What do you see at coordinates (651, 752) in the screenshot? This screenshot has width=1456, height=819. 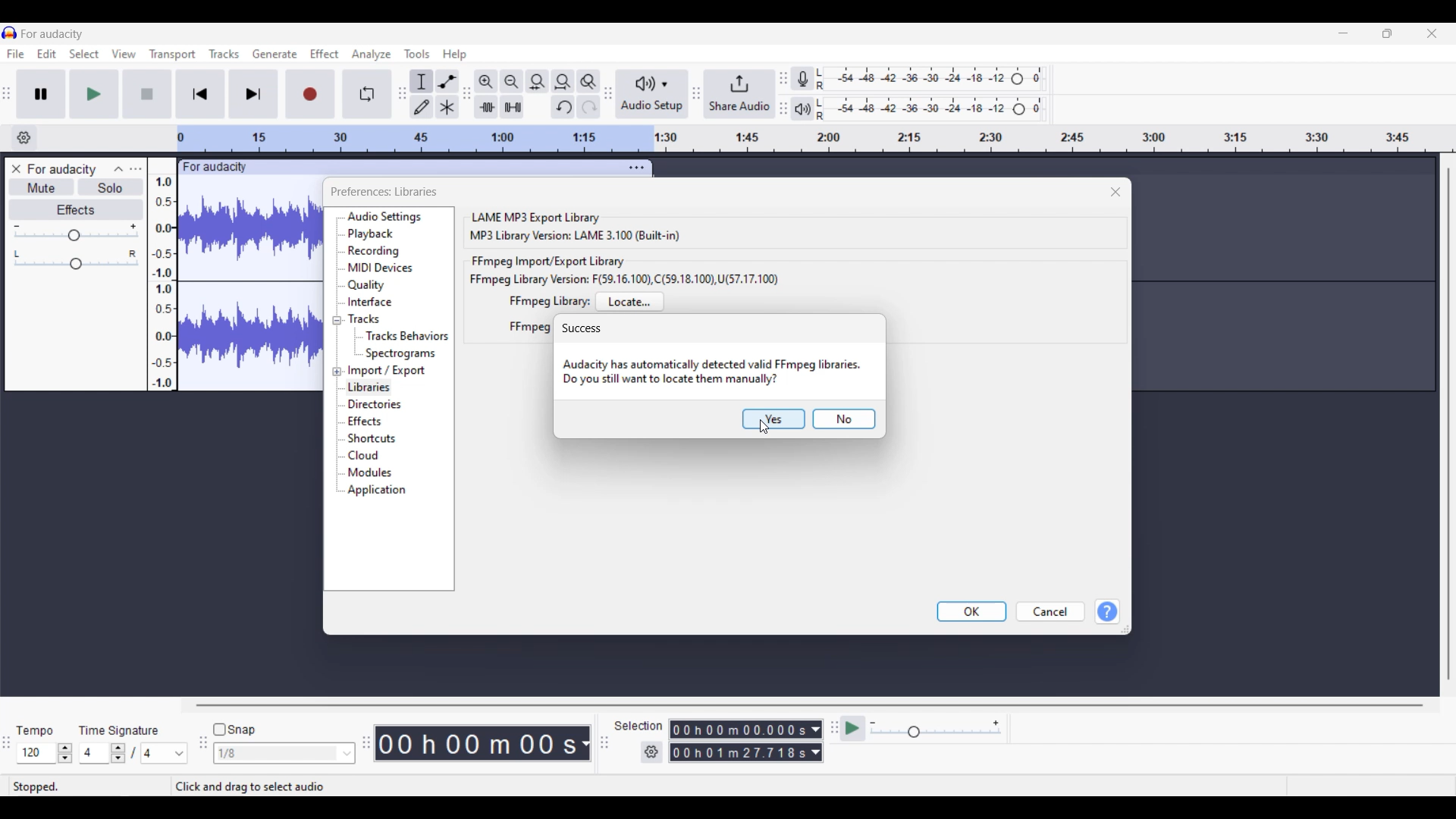 I see `Settings` at bounding box center [651, 752].